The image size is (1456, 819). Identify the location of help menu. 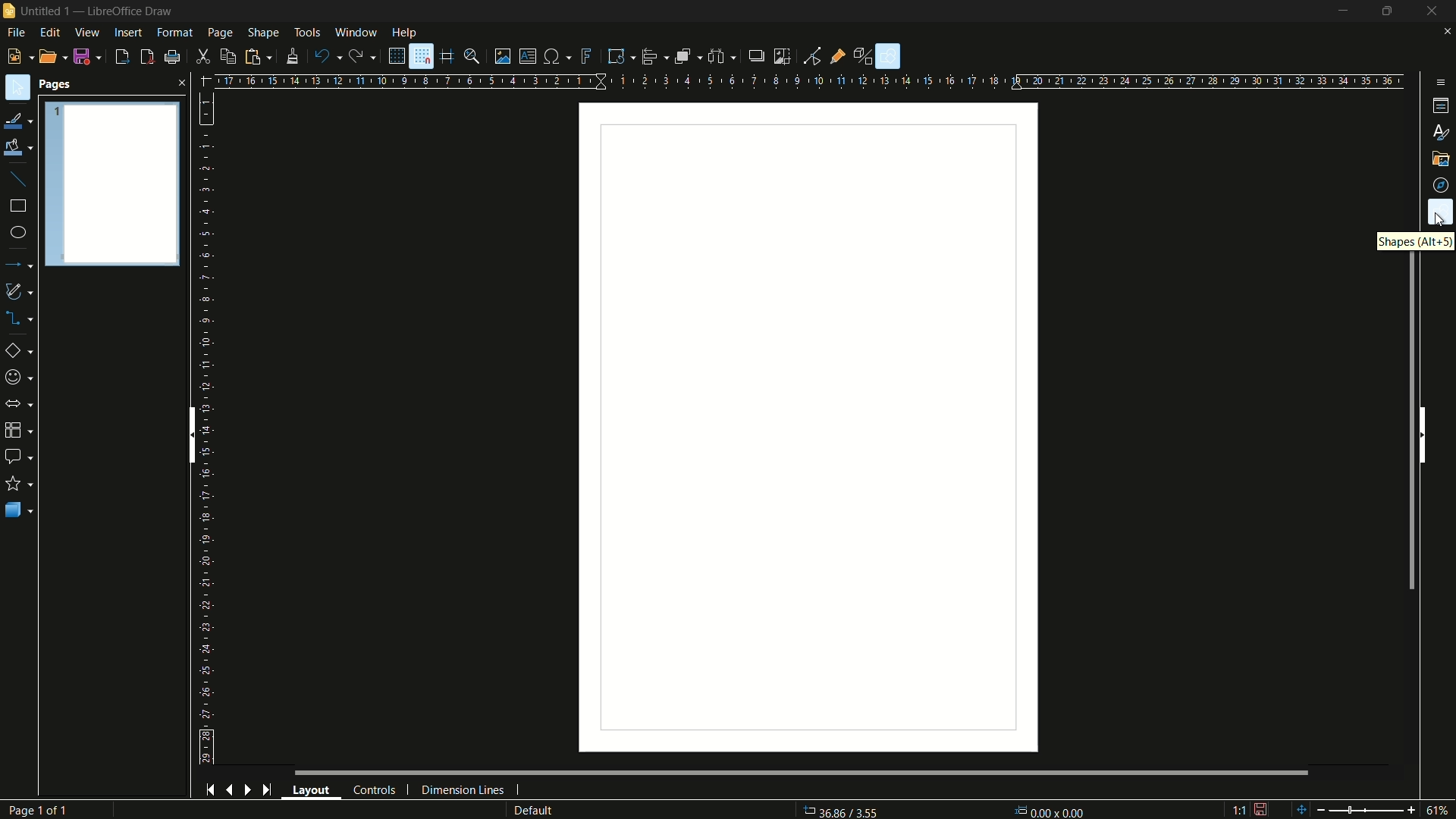
(403, 33).